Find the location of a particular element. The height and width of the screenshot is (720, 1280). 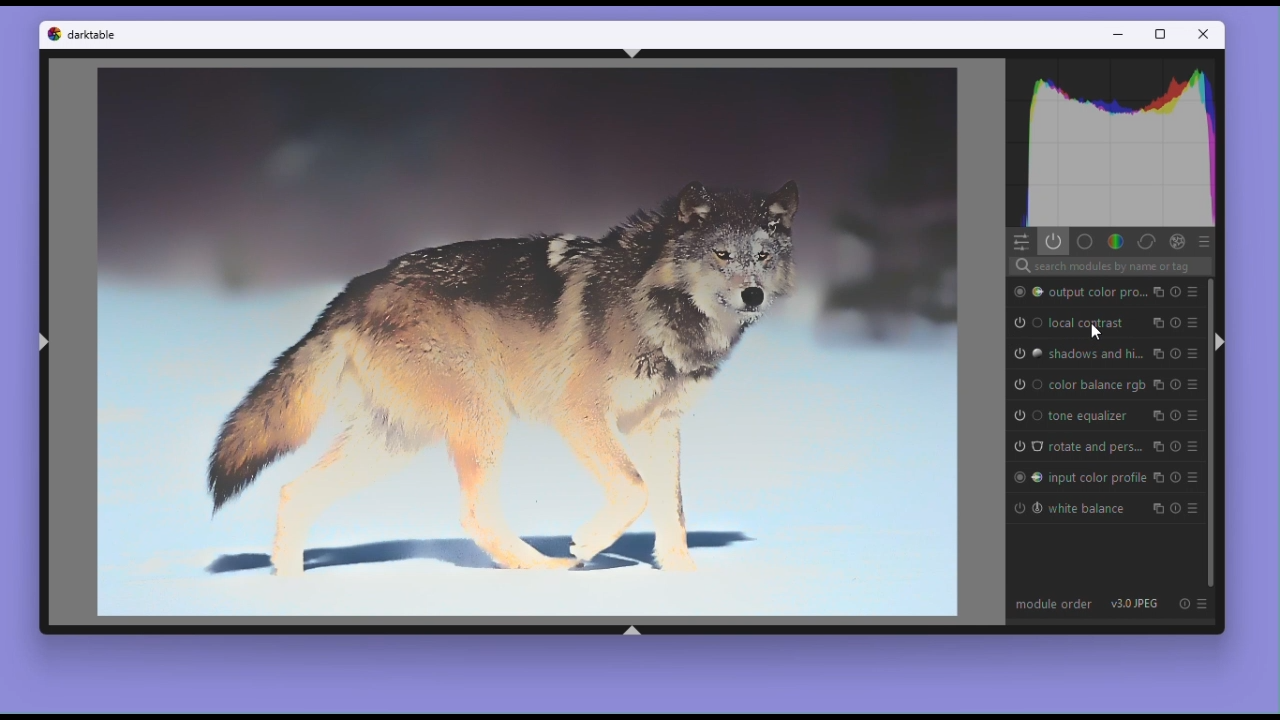

'output color profile' is switched on is located at coordinates (1025, 292).